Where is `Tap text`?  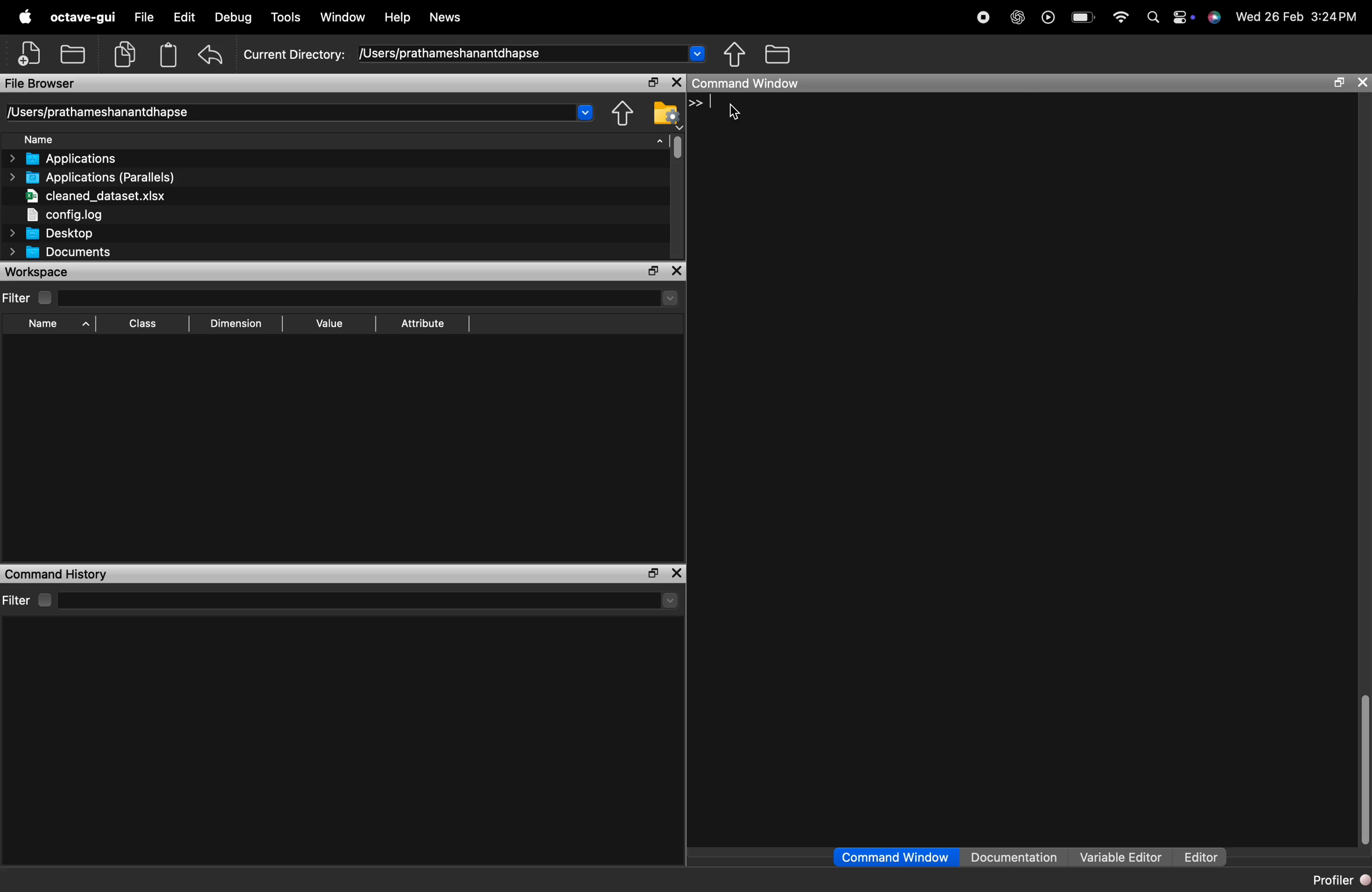
Tap text is located at coordinates (715, 103).